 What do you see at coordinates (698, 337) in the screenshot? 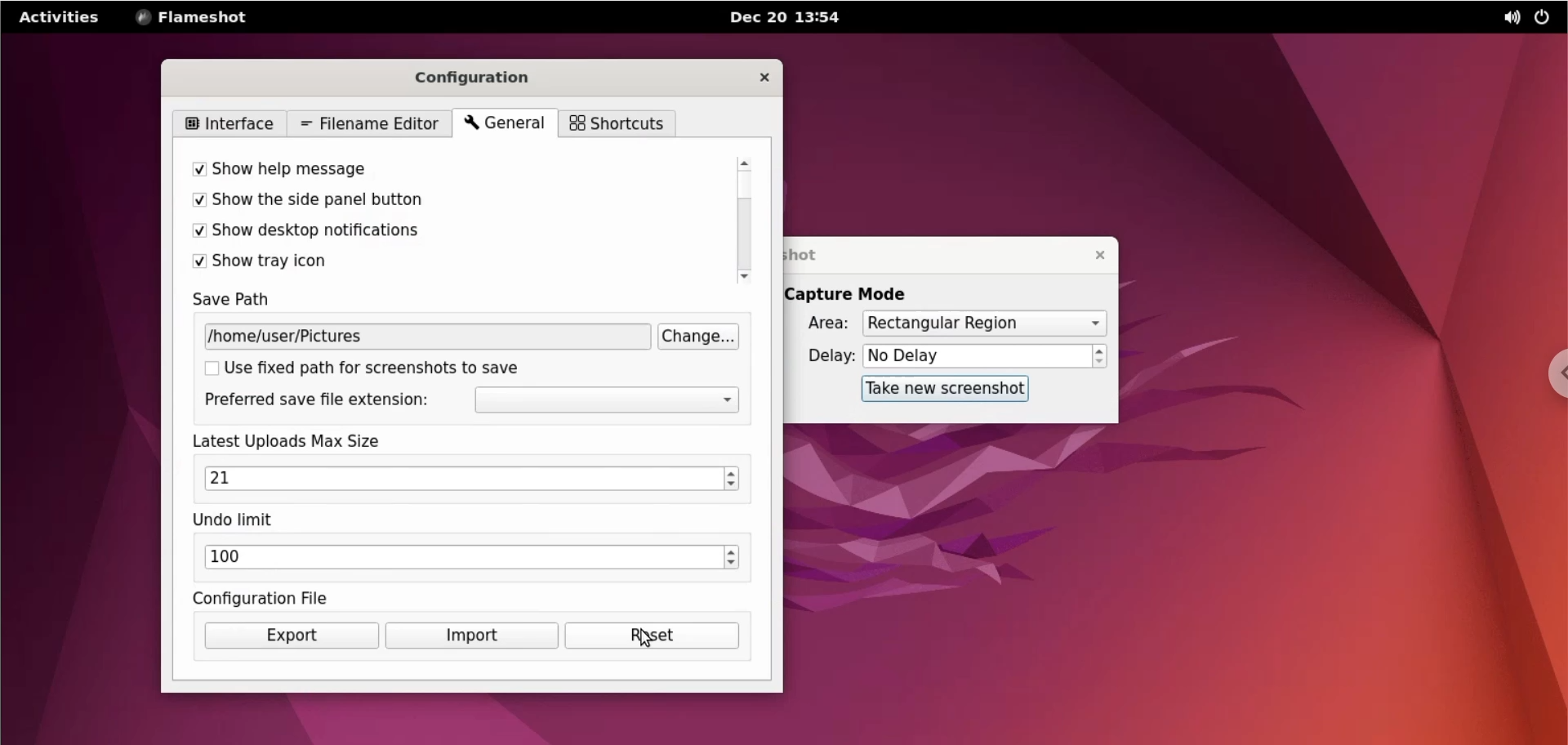
I see `change ` at bounding box center [698, 337].